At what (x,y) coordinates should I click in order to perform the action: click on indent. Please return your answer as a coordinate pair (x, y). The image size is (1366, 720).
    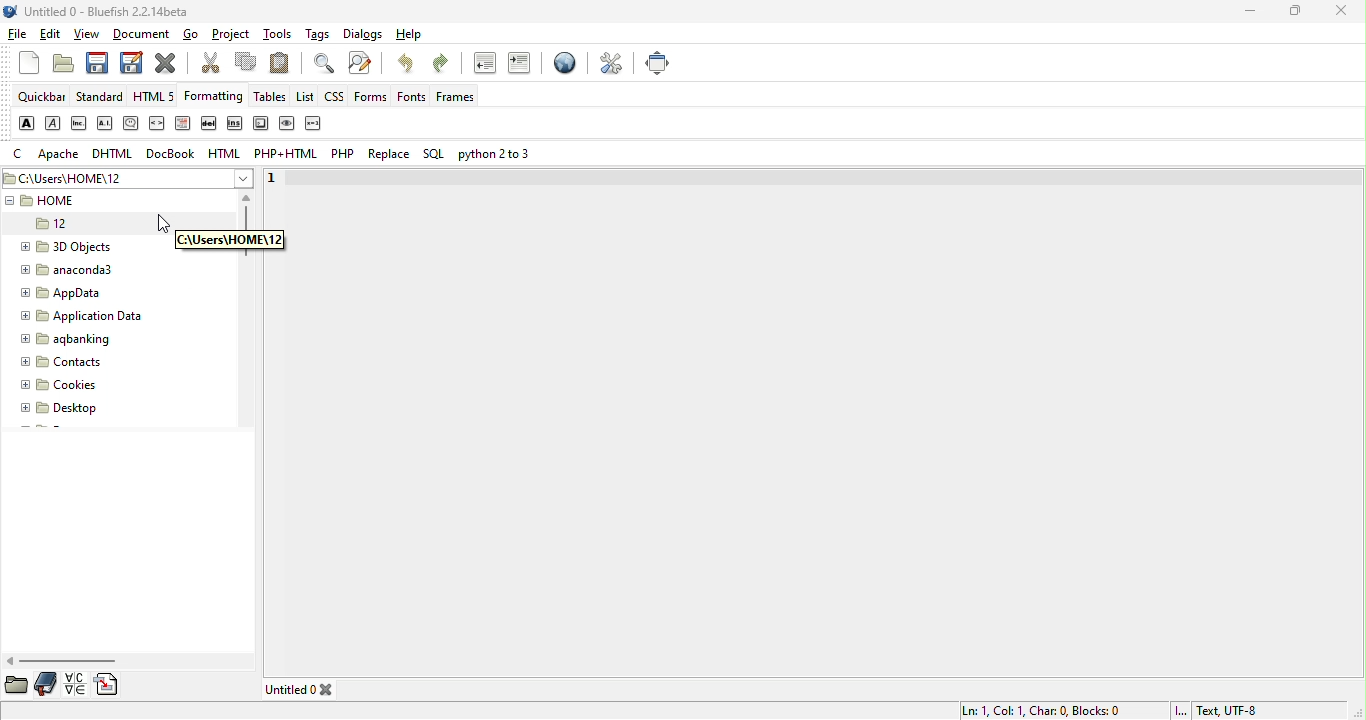
    Looking at the image, I should click on (519, 64).